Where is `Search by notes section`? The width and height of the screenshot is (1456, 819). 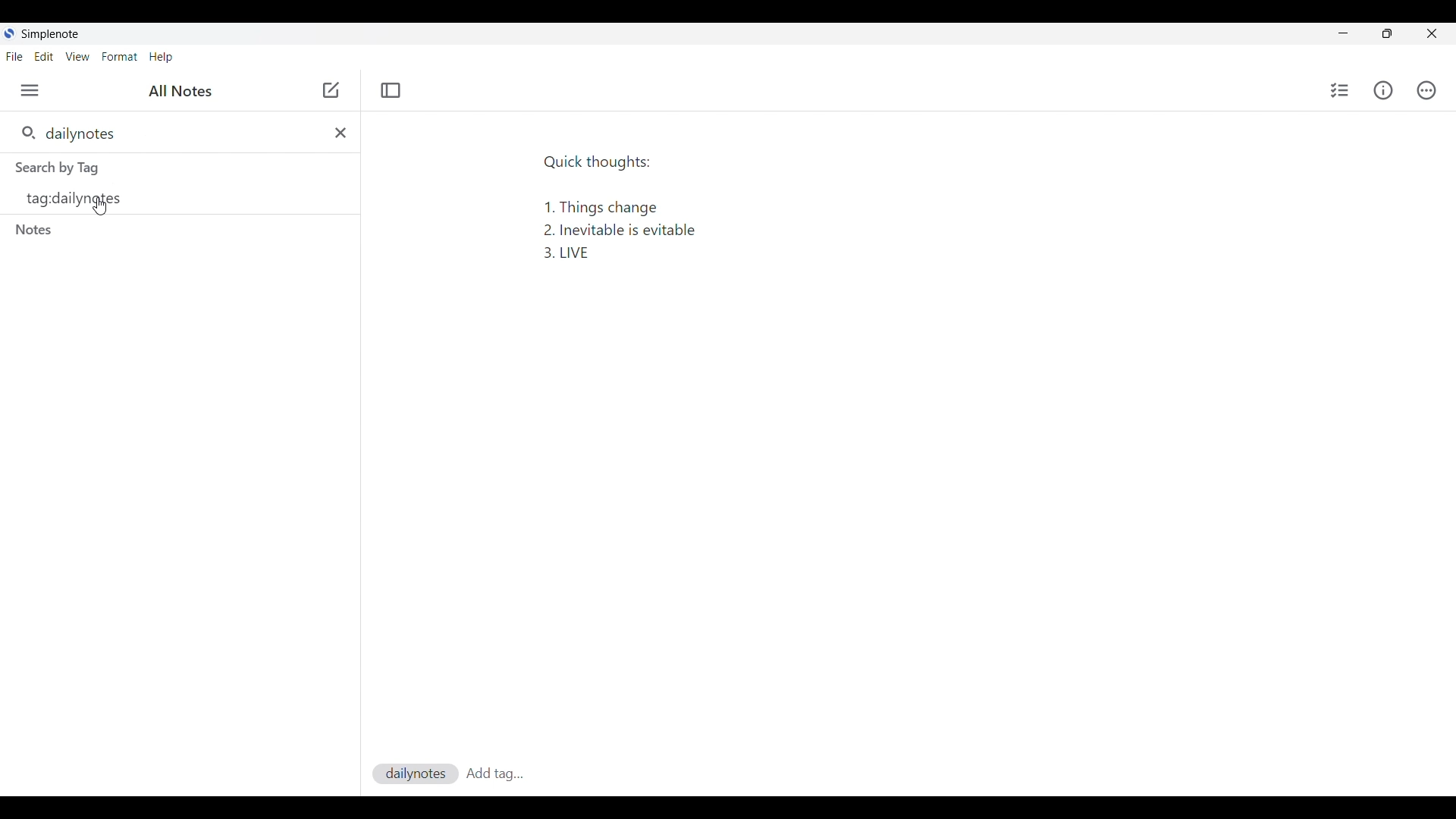
Search by notes section is located at coordinates (33, 229).